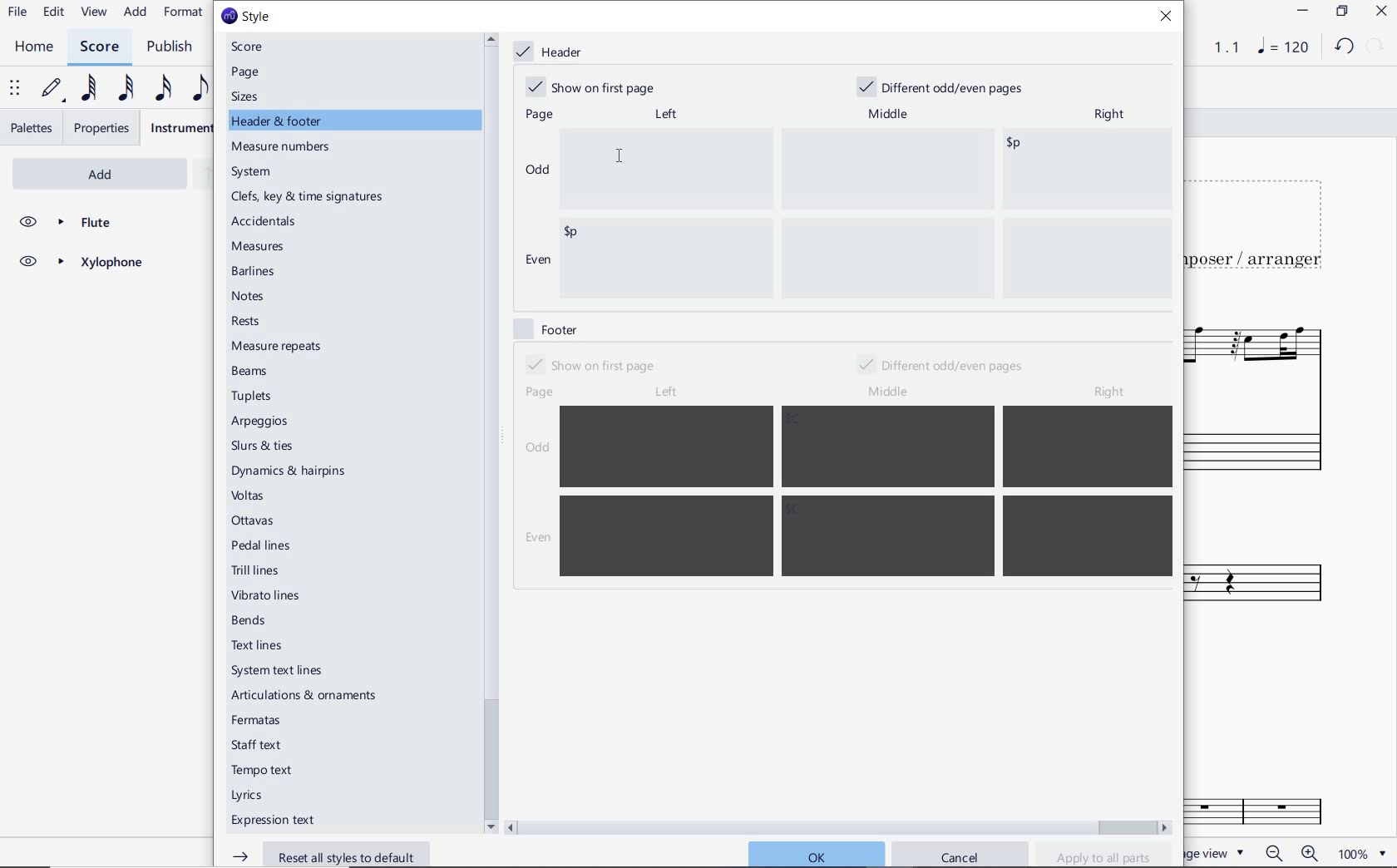  What do you see at coordinates (254, 721) in the screenshot?
I see `fermatas` at bounding box center [254, 721].